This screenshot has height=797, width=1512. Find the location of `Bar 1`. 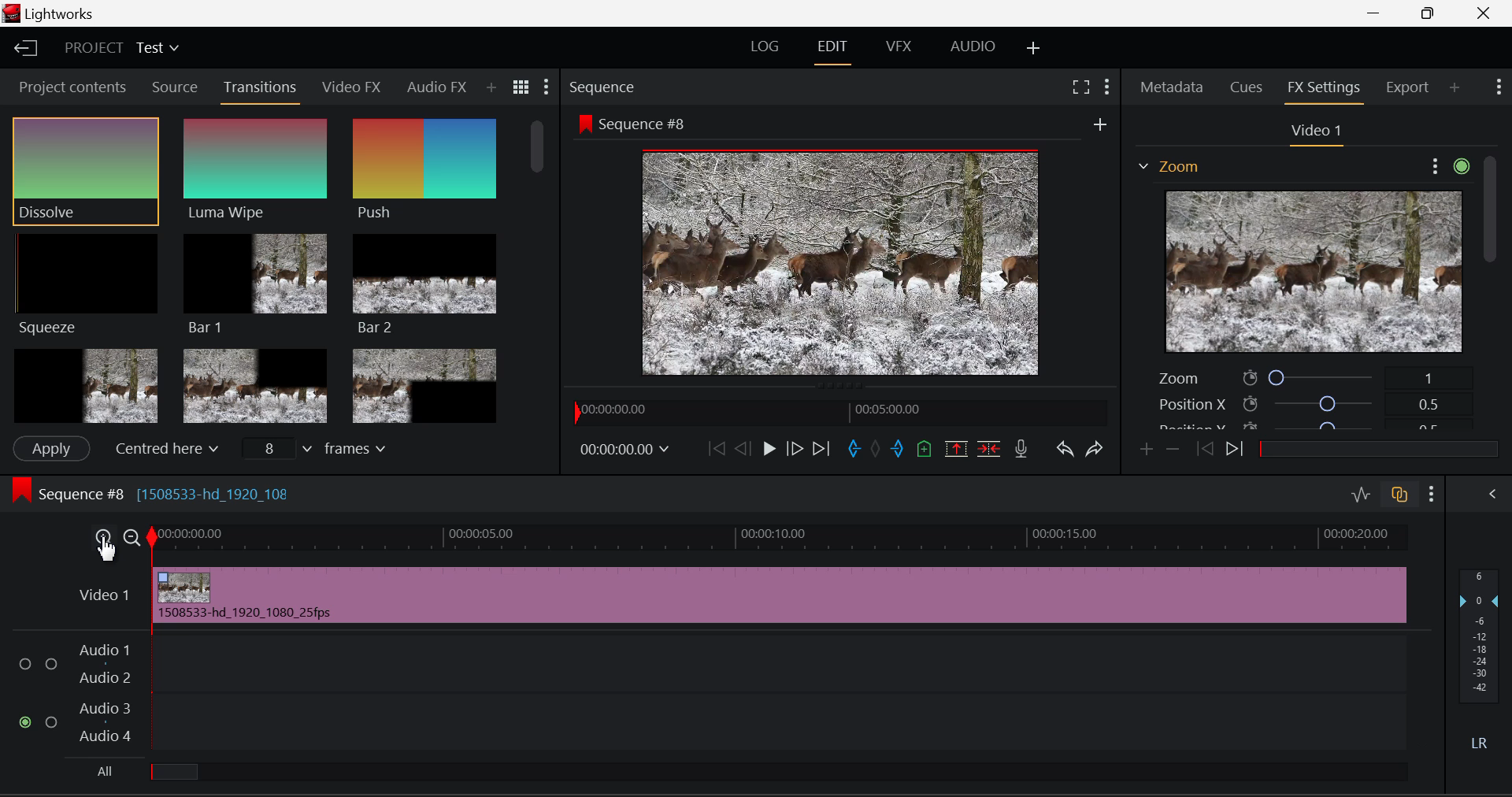

Bar 1 is located at coordinates (255, 283).